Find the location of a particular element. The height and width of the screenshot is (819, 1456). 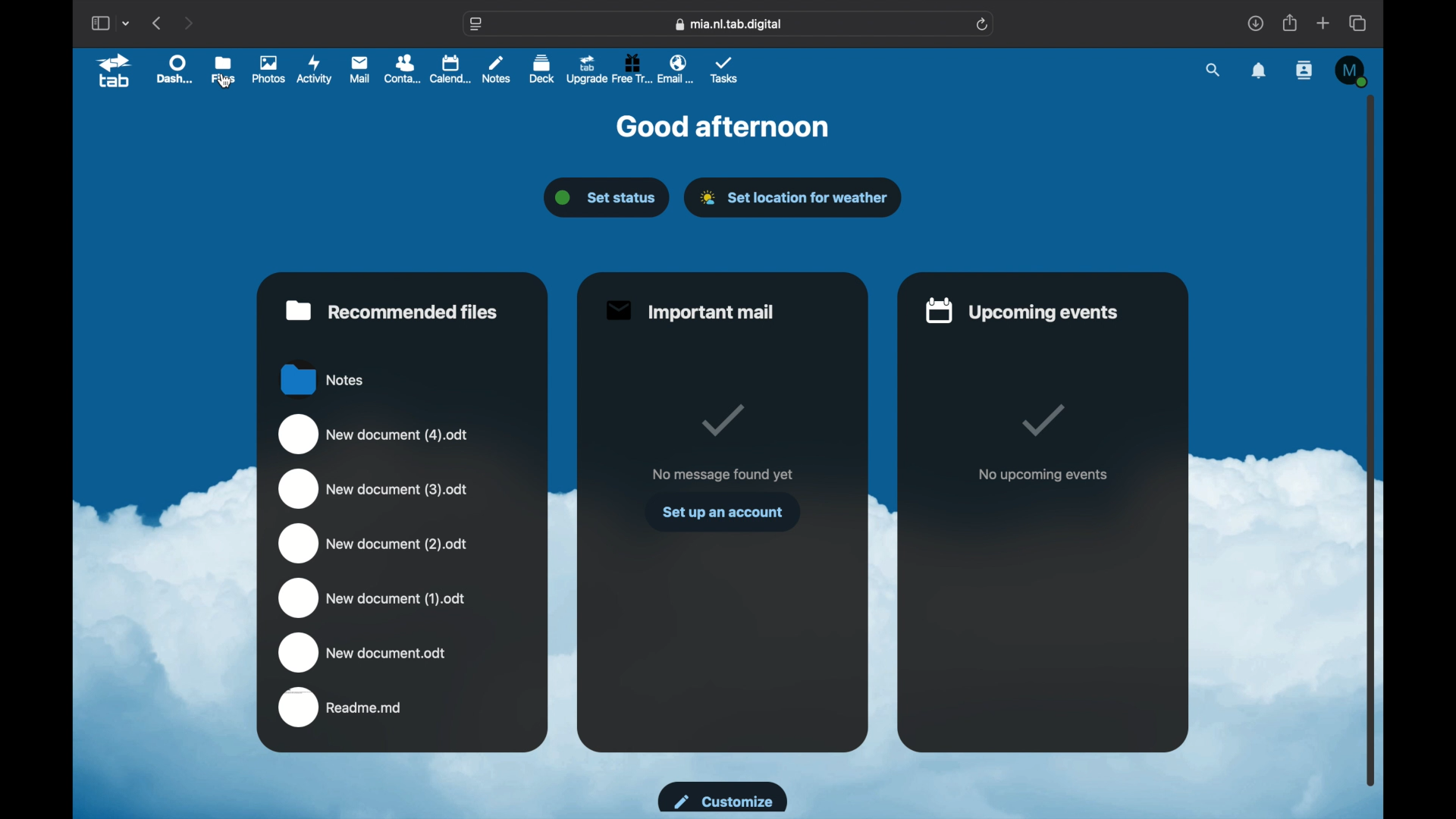

new tab is located at coordinates (1323, 23).